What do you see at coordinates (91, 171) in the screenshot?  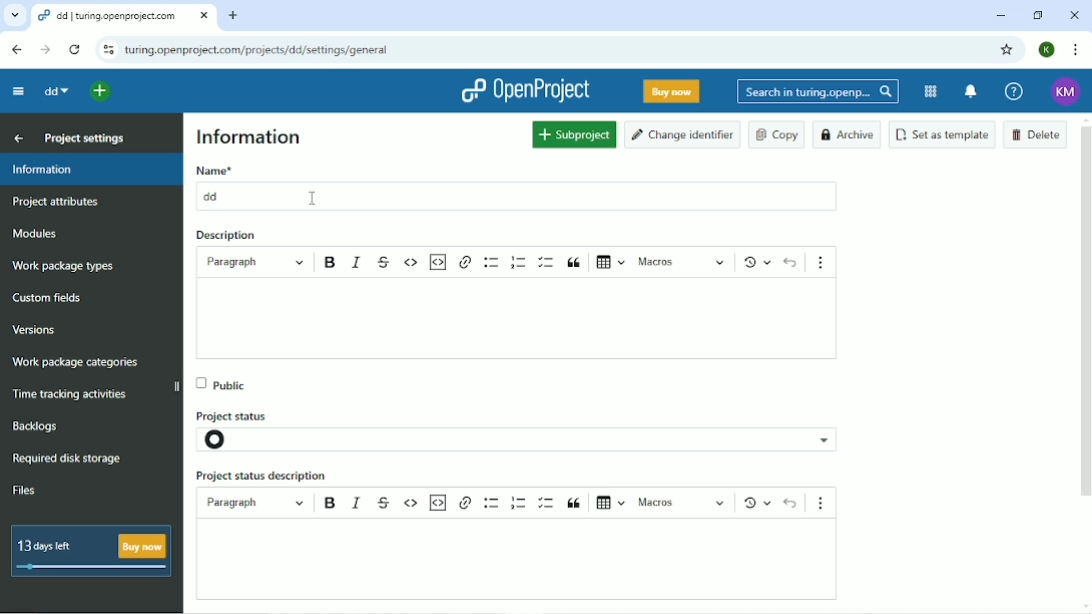 I see `Information` at bounding box center [91, 171].